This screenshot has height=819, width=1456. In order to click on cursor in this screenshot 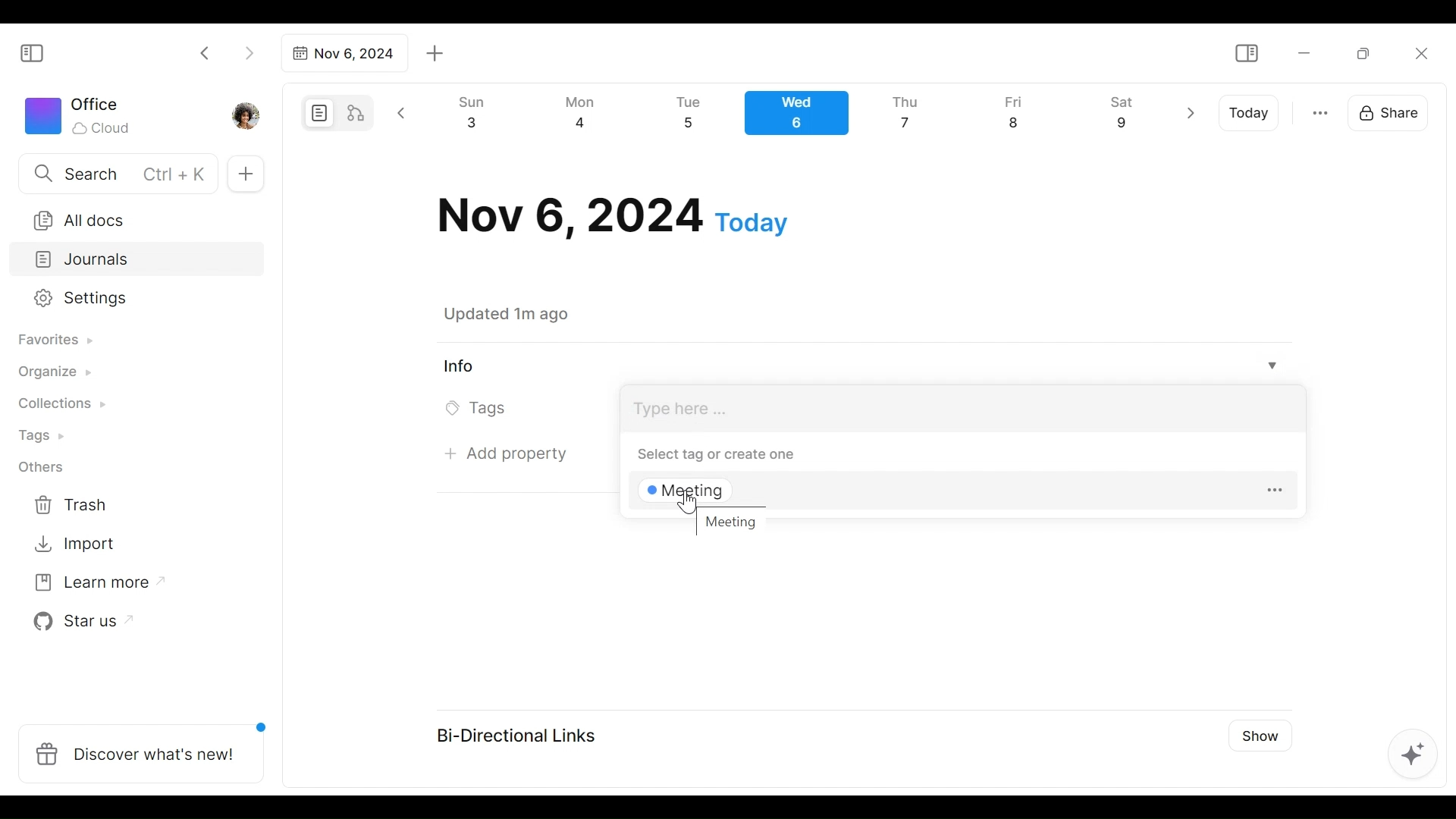, I will do `click(685, 503)`.